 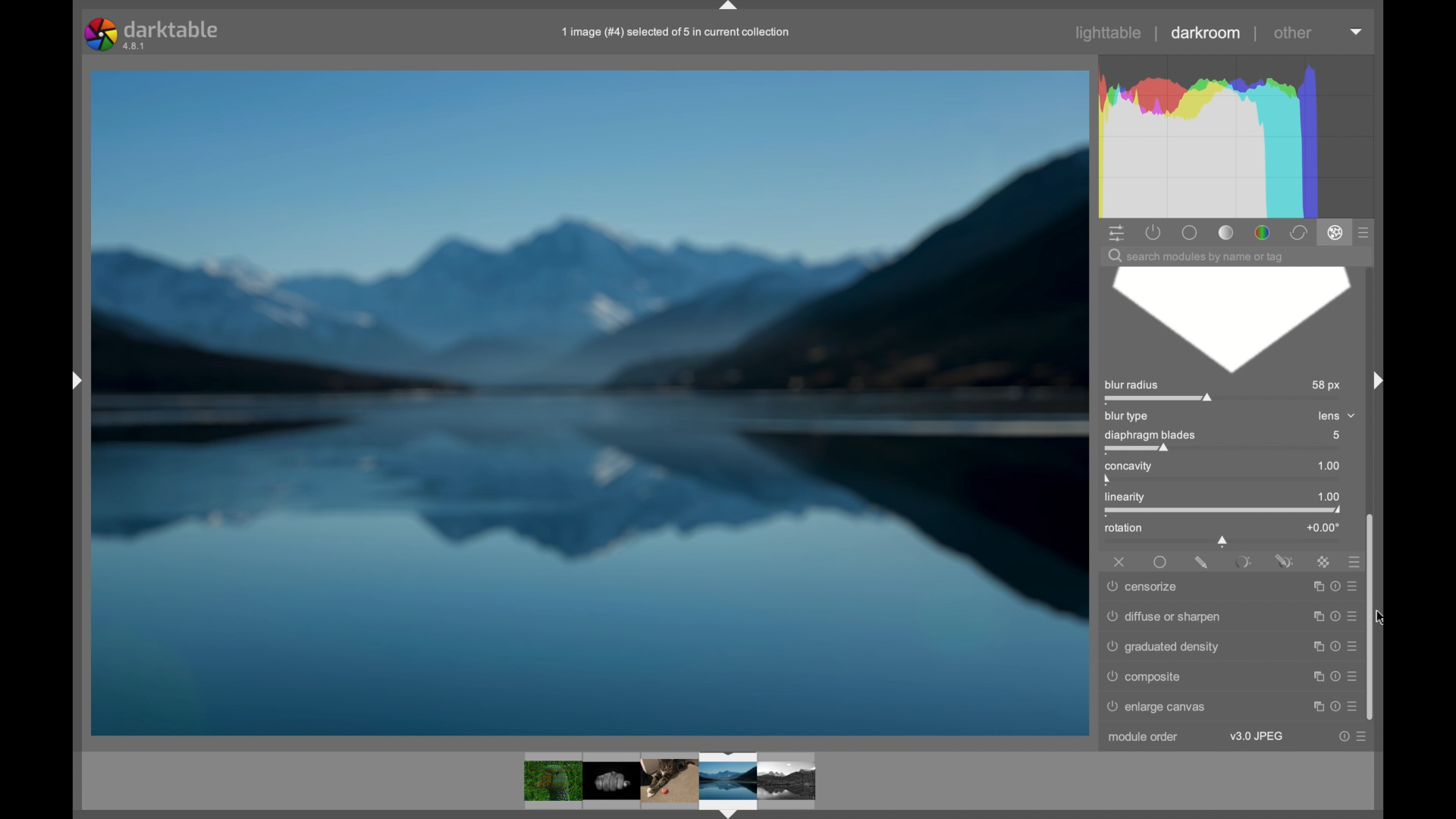 What do you see at coordinates (1256, 736) in the screenshot?
I see `v3.0jpeg` at bounding box center [1256, 736].